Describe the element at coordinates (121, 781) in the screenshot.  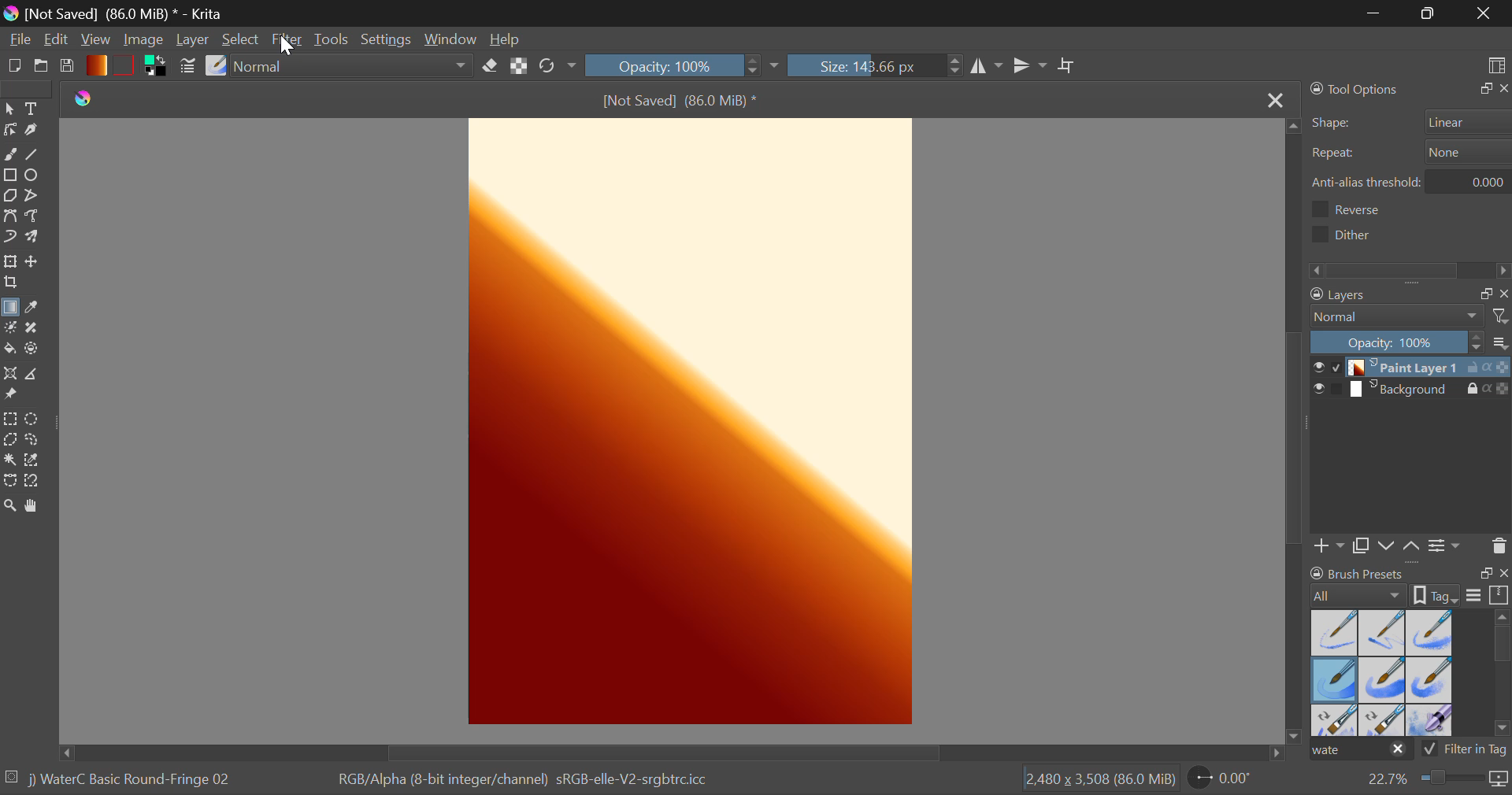
I see `jj waterc basic round-fringe 02` at that location.